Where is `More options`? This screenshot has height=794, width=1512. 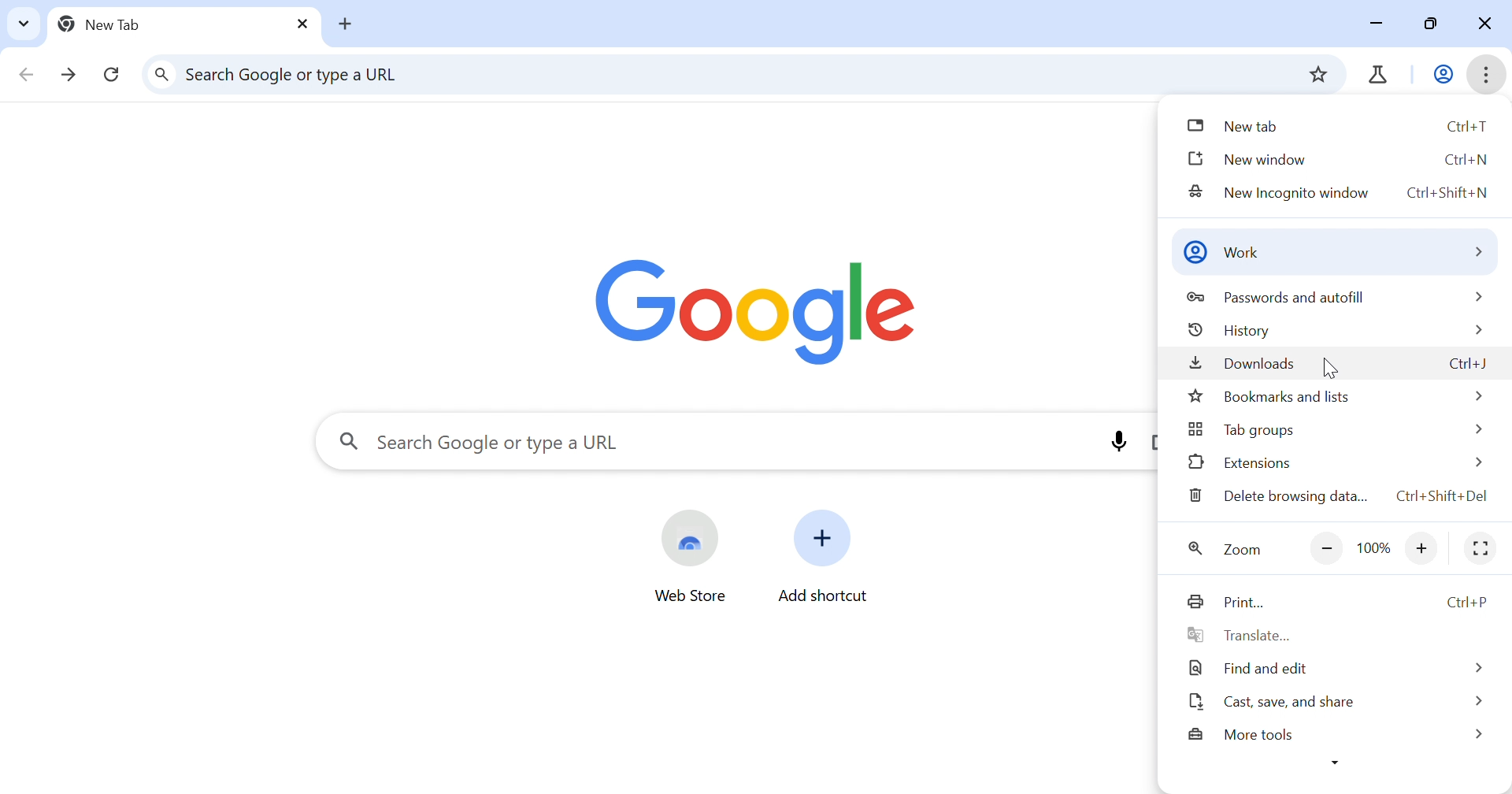
More options is located at coordinates (1487, 75).